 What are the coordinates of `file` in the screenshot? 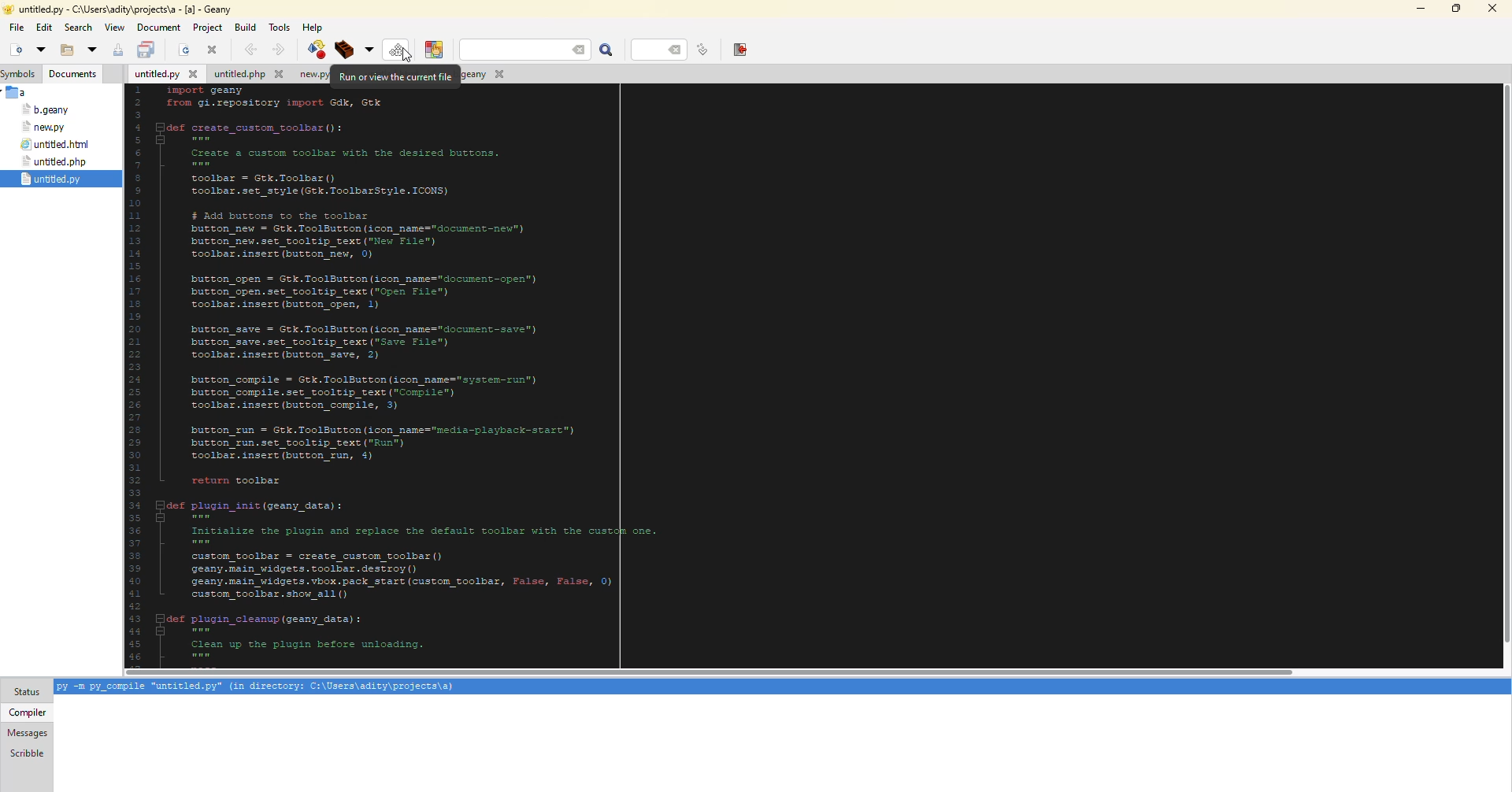 It's located at (305, 75).